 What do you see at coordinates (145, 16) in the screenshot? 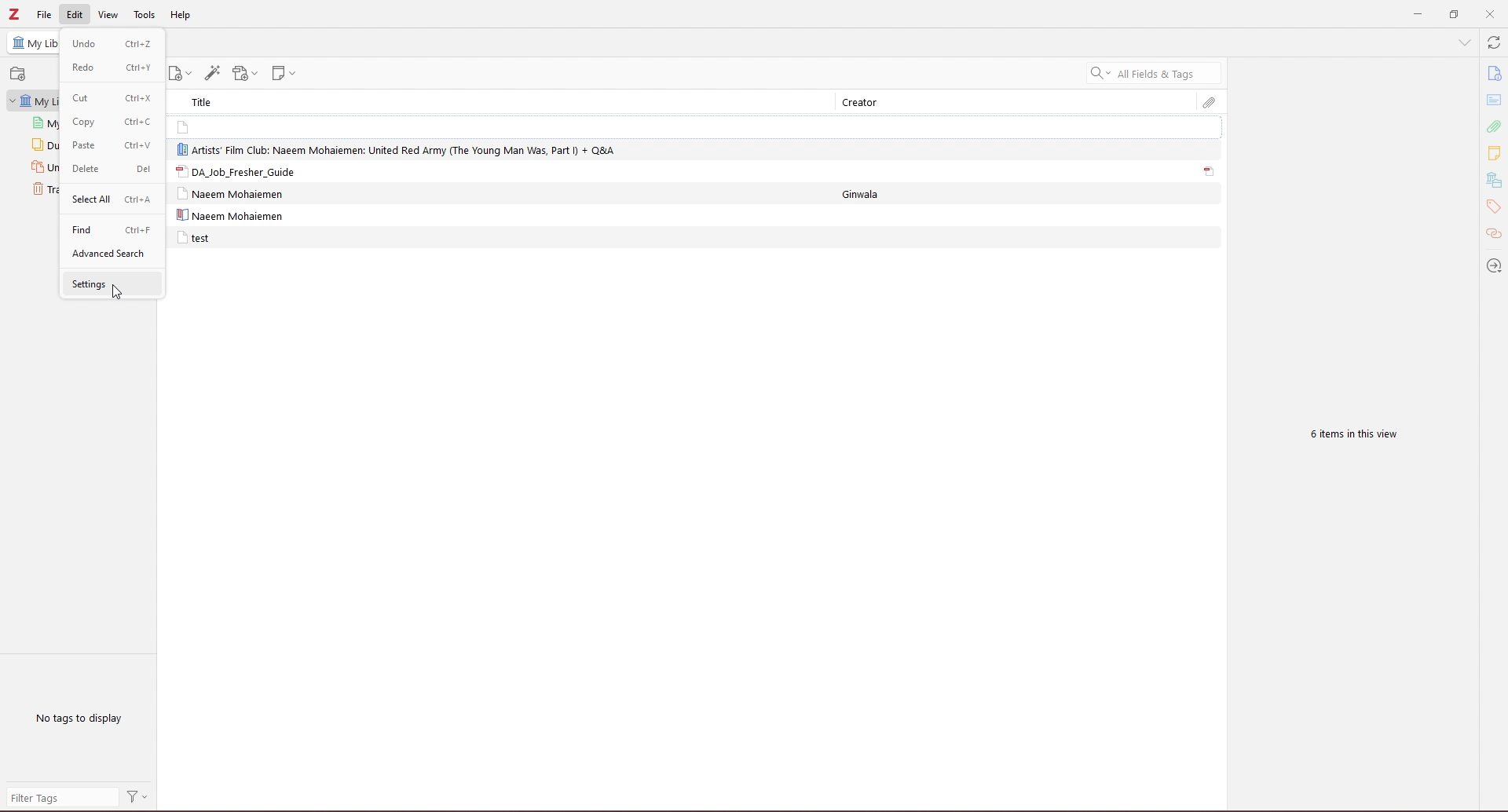
I see `tools` at bounding box center [145, 16].